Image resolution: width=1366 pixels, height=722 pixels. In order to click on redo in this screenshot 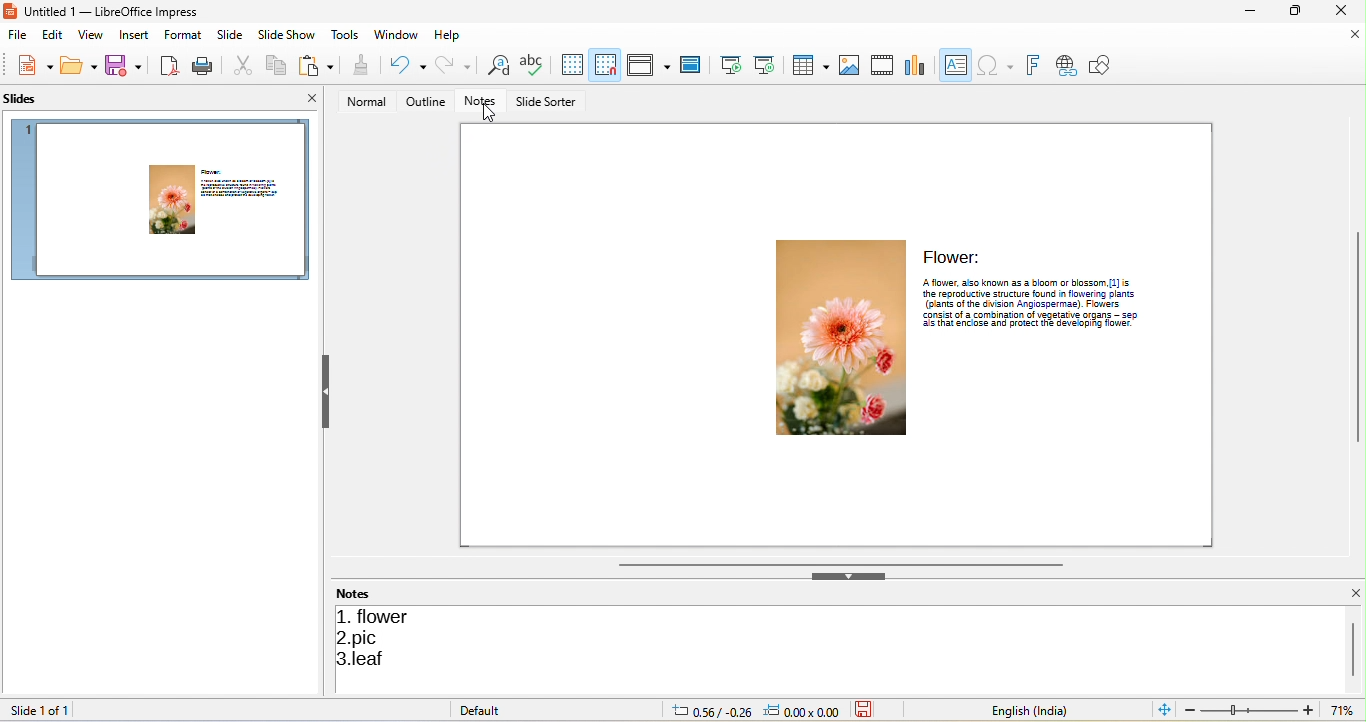, I will do `click(456, 64)`.